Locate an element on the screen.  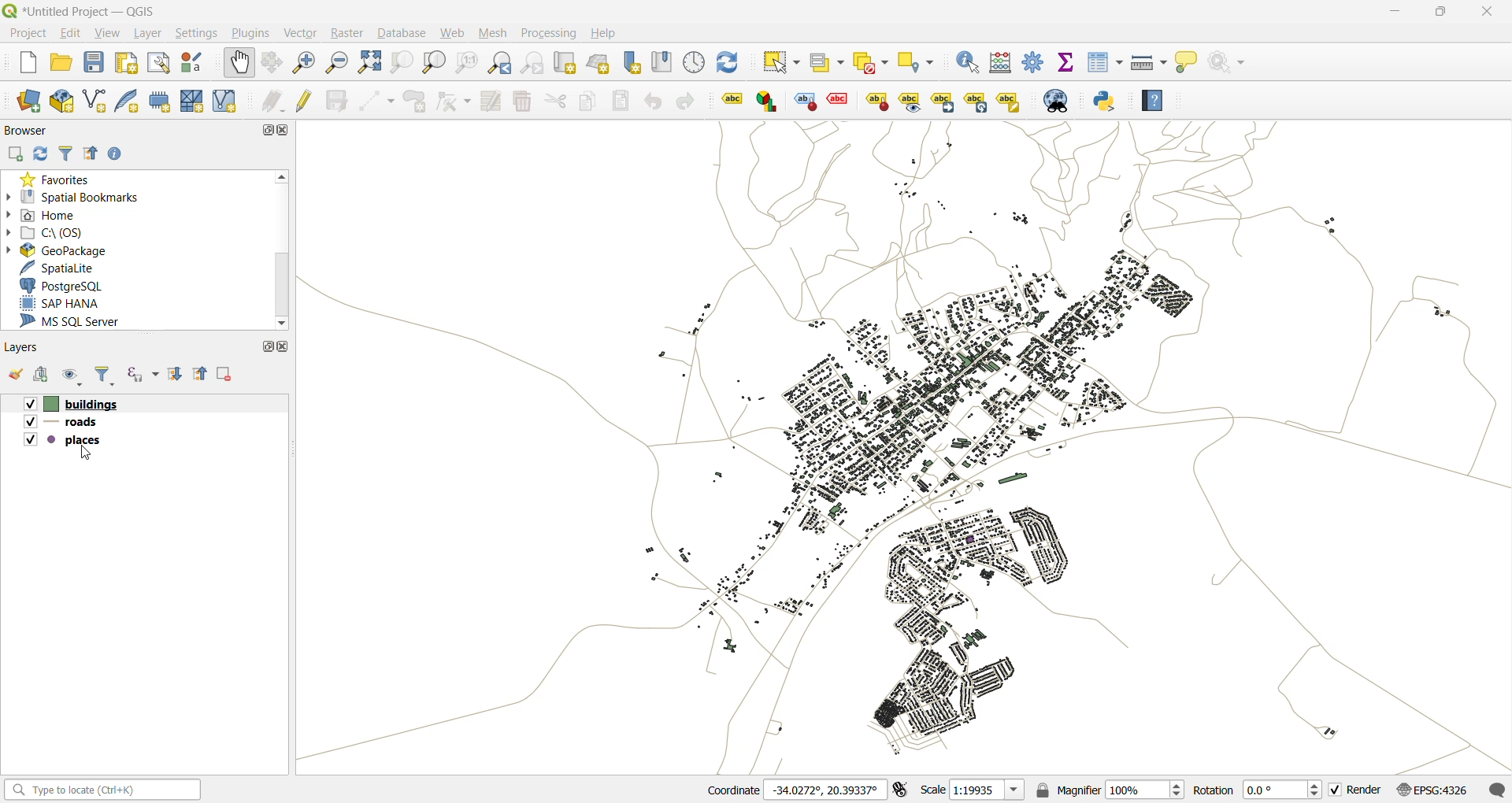
magnifier is located at coordinates (1110, 790).